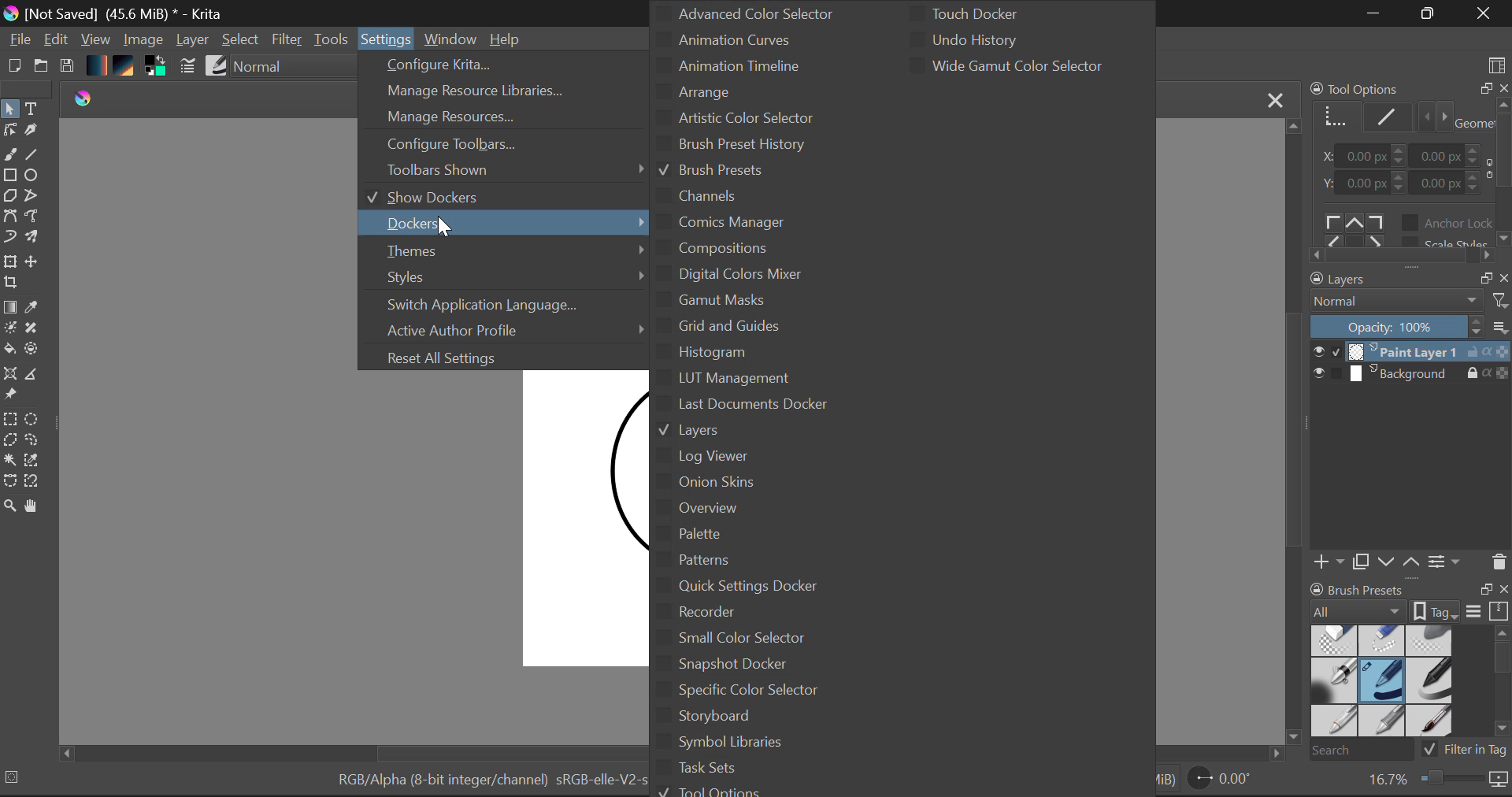  What do you see at coordinates (762, 38) in the screenshot?
I see `Animation Curves` at bounding box center [762, 38].